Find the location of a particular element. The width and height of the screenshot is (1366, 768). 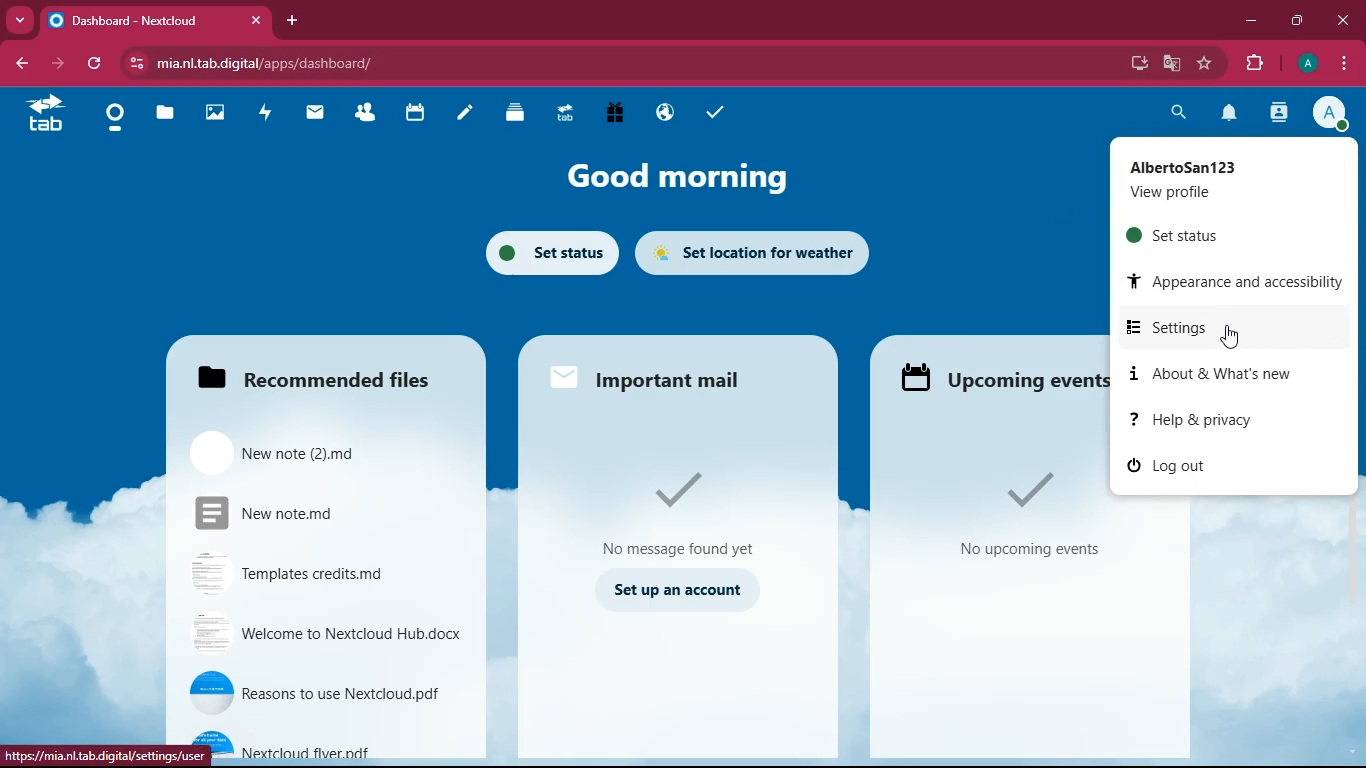

files is located at coordinates (171, 115).